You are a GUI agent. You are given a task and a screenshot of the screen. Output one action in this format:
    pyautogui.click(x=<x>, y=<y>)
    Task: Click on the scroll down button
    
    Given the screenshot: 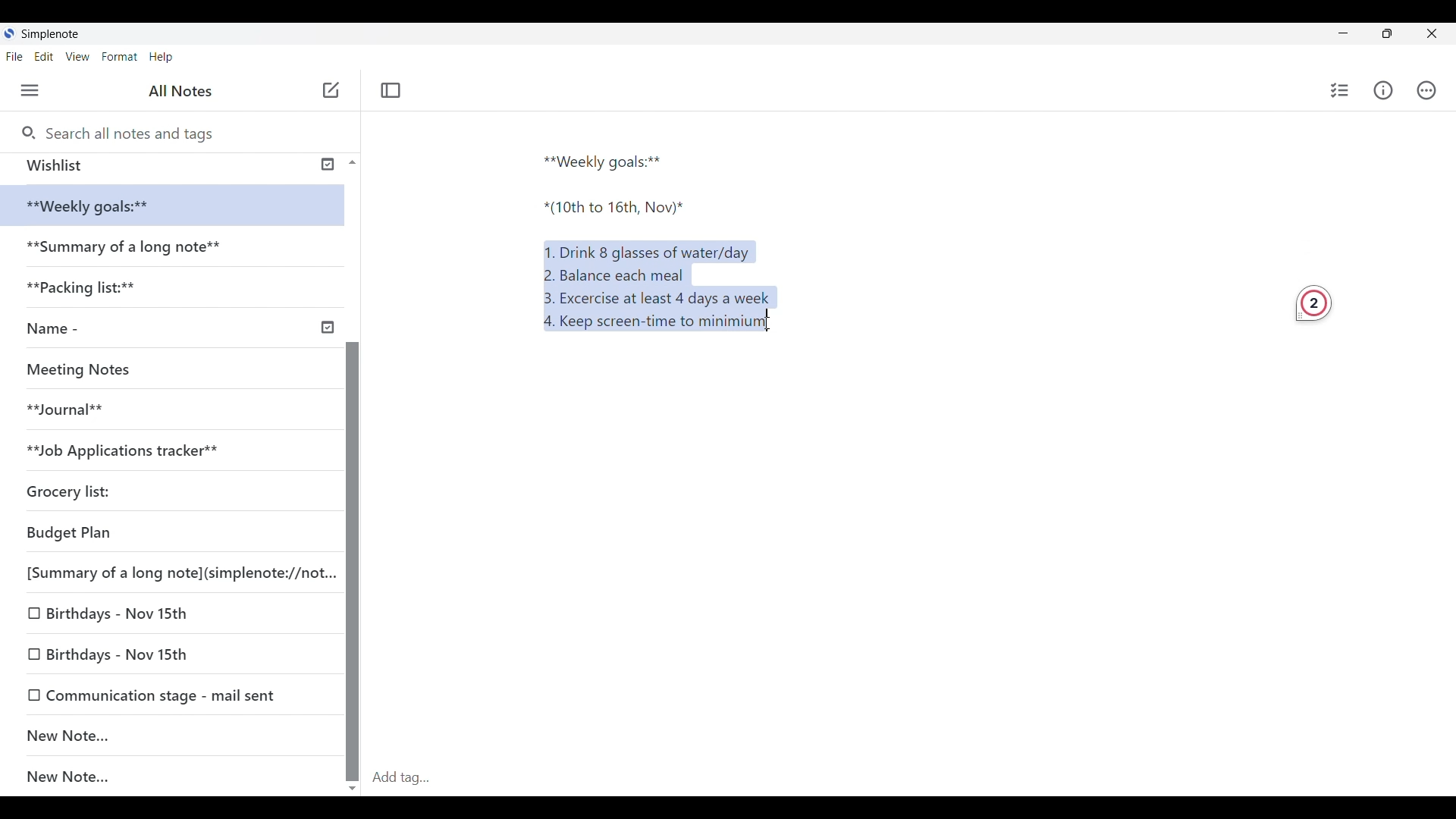 What is the action you would take?
    pyautogui.click(x=353, y=783)
    